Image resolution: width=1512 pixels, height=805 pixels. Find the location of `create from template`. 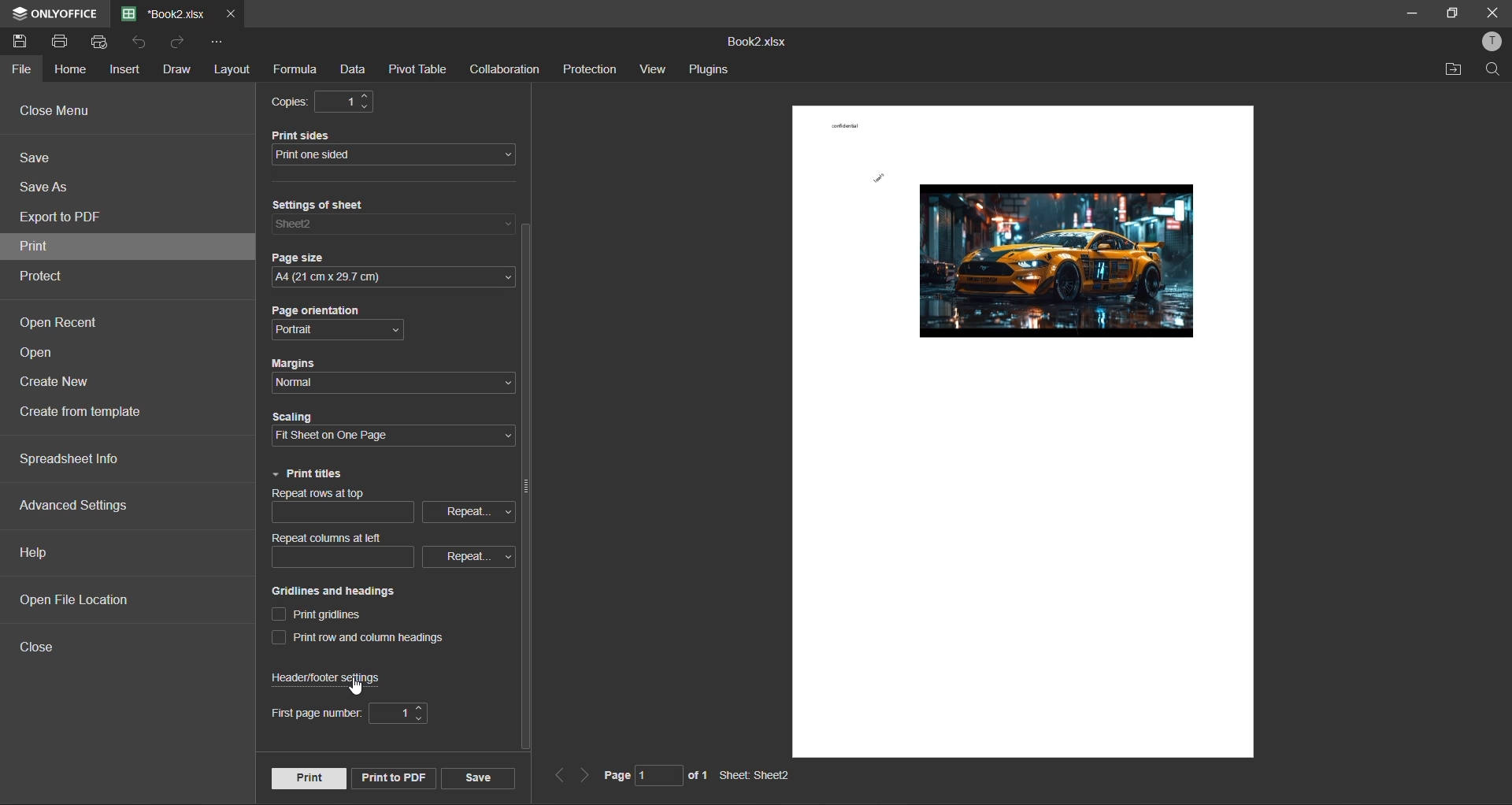

create from template is located at coordinates (90, 412).